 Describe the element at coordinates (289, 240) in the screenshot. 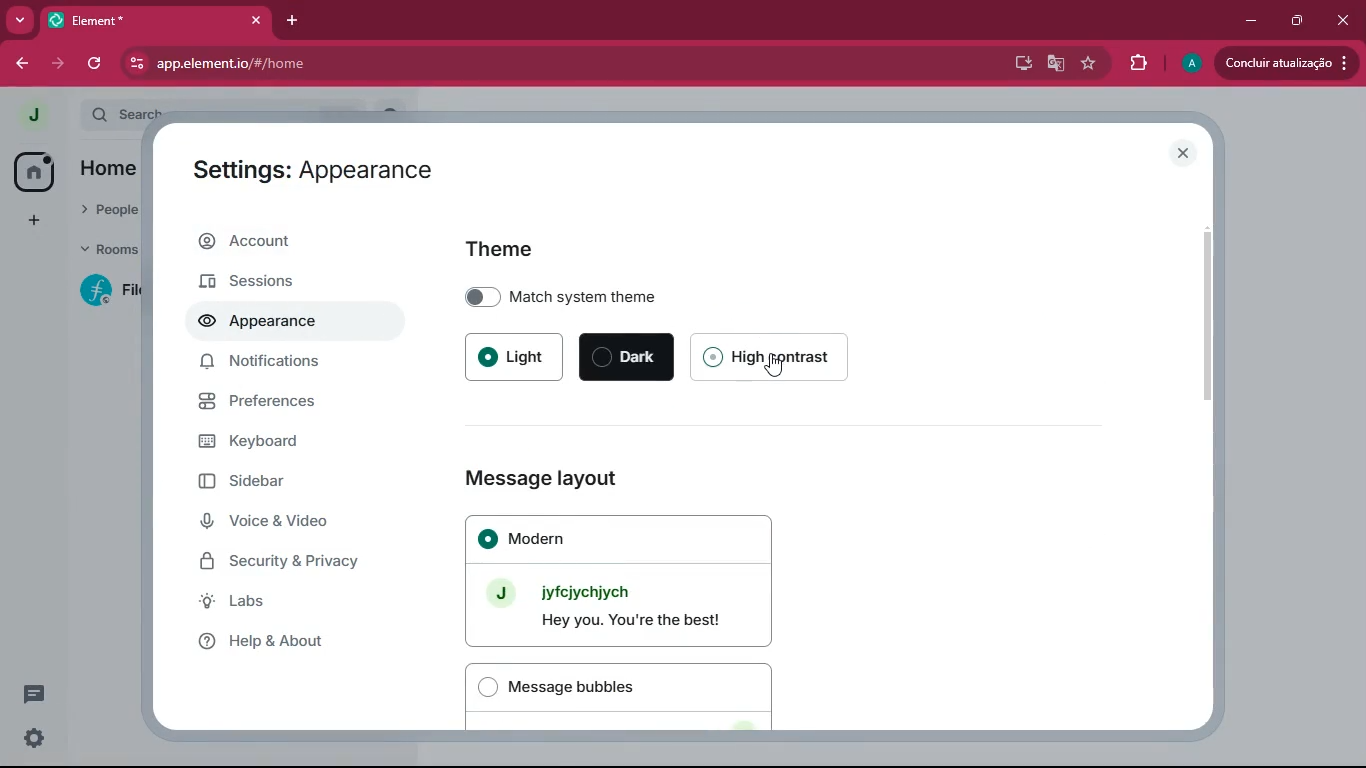

I see `account` at that location.